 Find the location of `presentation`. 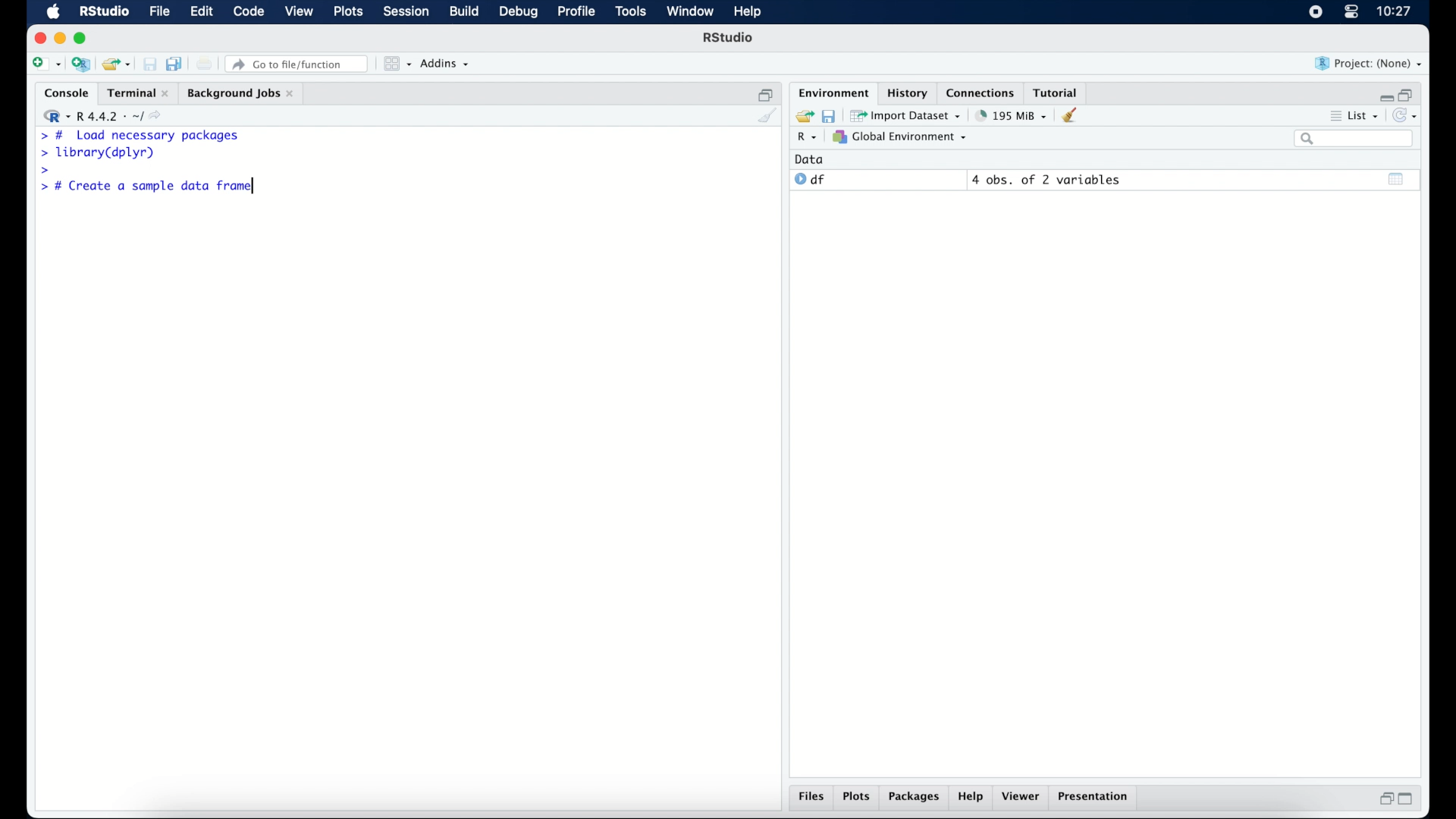

presentation is located at coordinates (1095, 798).